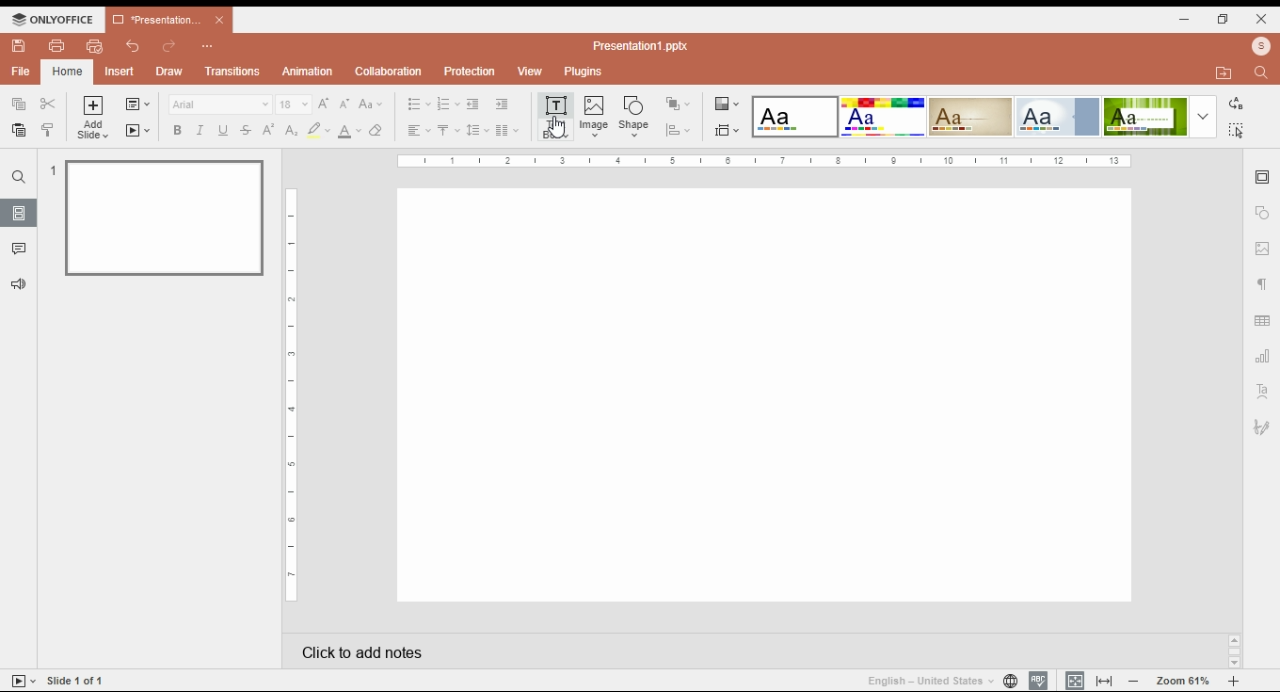  I want to click on color theme, so click(883, 117).